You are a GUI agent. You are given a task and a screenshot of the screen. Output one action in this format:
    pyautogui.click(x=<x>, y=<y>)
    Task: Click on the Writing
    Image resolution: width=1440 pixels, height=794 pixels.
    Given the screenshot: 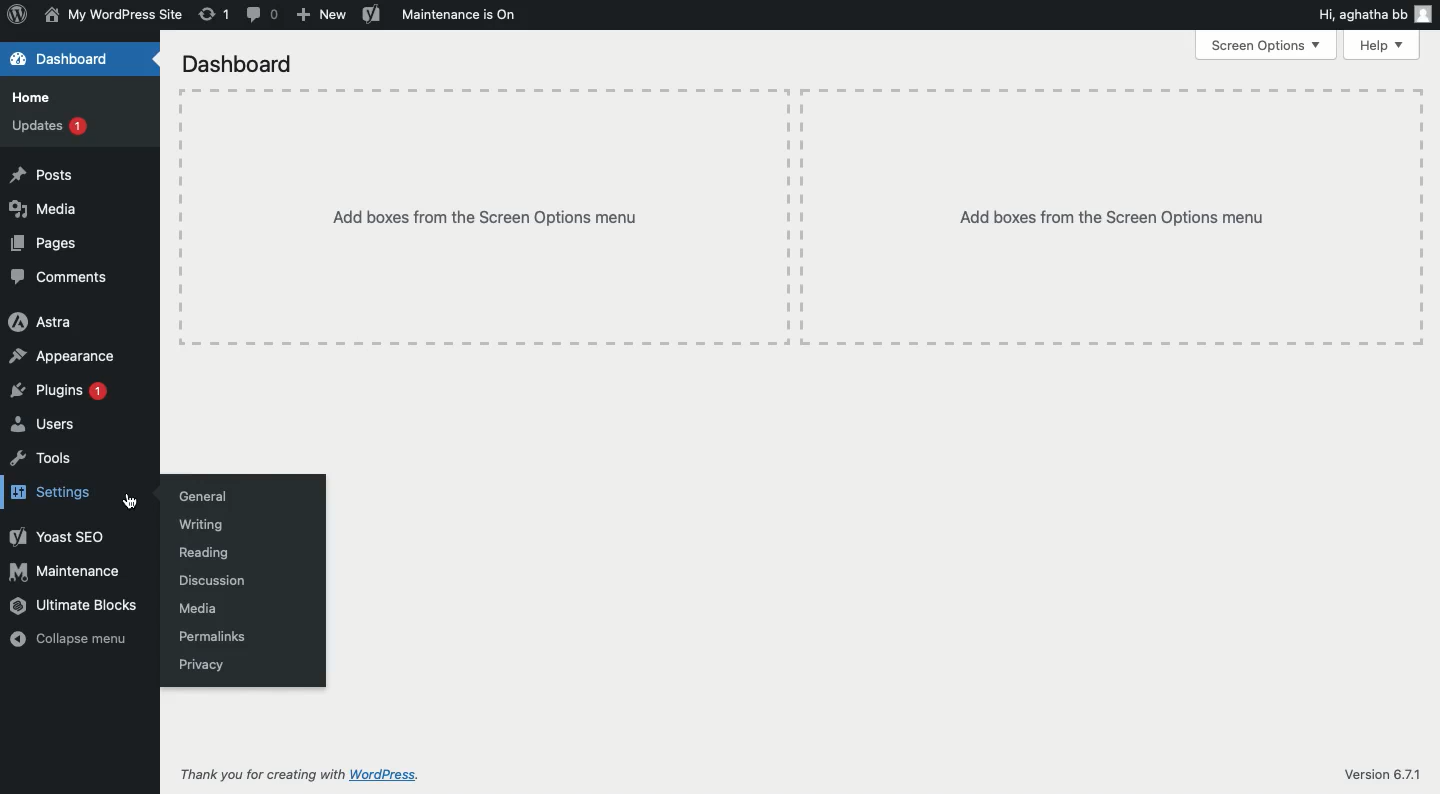 What is the action you would take?
    pyautogui.click(x=202, y=524)
    